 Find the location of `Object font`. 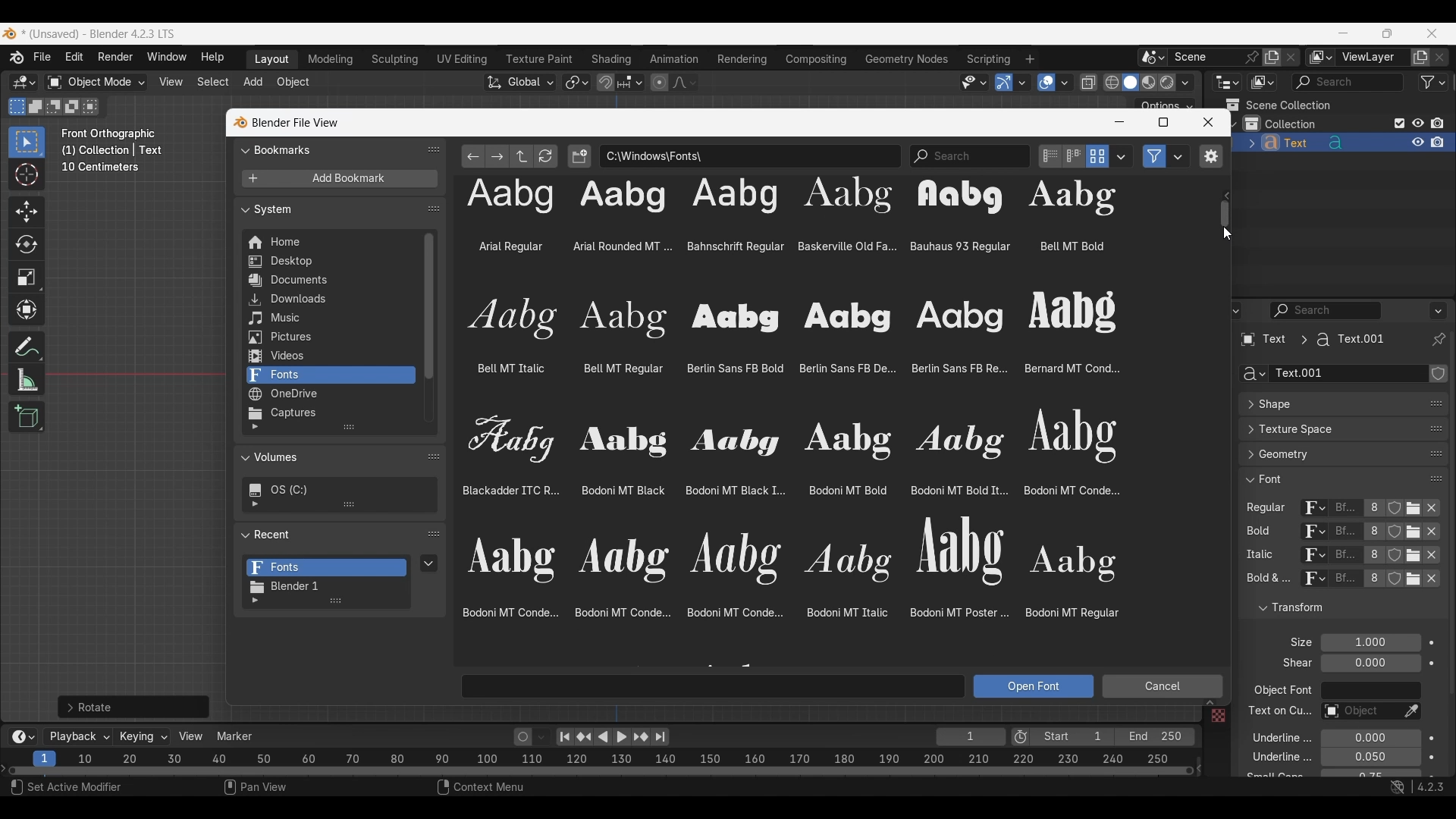

Object font is located at coordinates (1370, 691).